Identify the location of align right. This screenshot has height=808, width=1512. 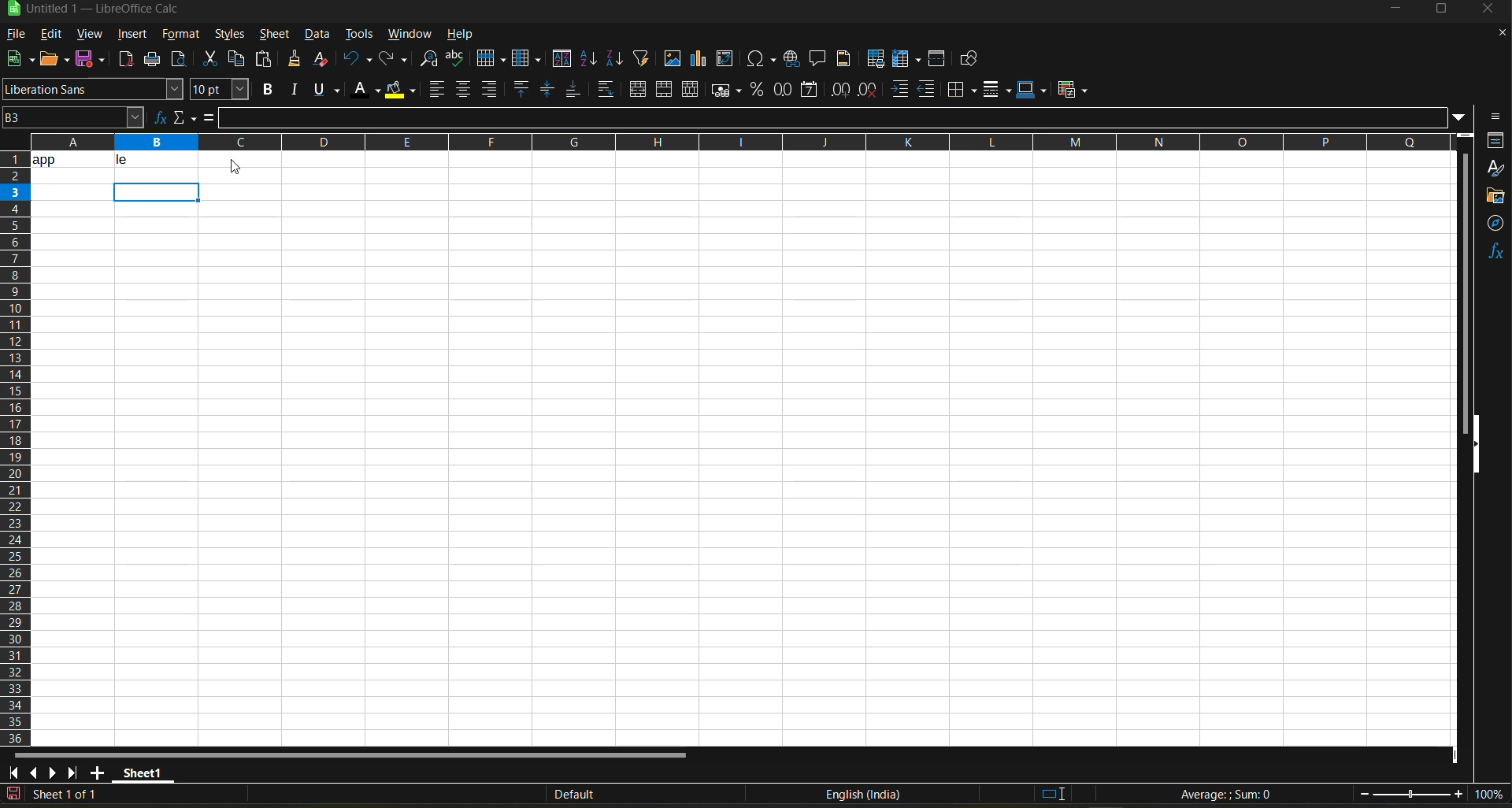
(491, 90).